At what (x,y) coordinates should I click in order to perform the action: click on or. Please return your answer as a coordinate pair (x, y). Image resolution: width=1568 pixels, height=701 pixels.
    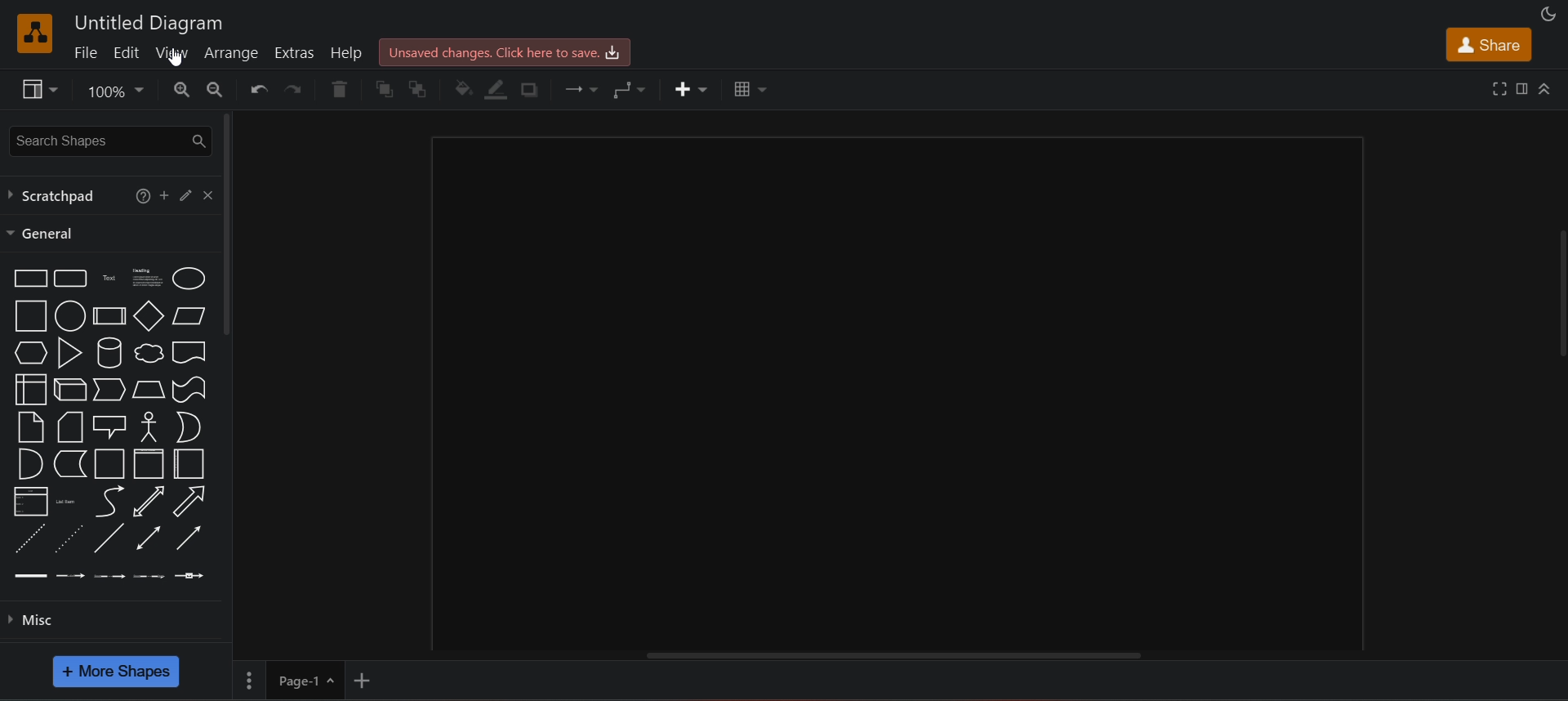
    Looking at the image, I should click on (190, 426).